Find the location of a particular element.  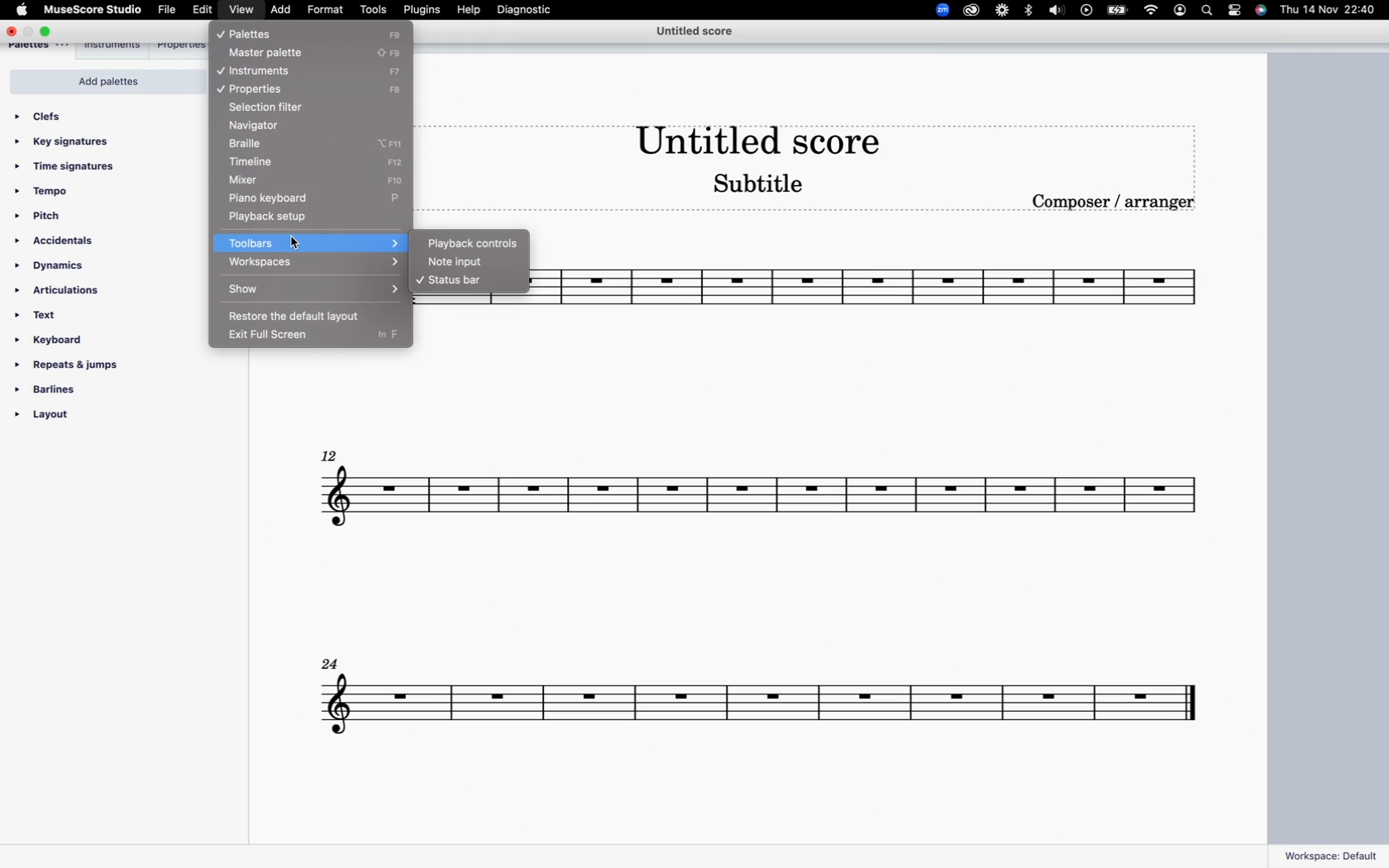

score is located at coordinates (866, 292).